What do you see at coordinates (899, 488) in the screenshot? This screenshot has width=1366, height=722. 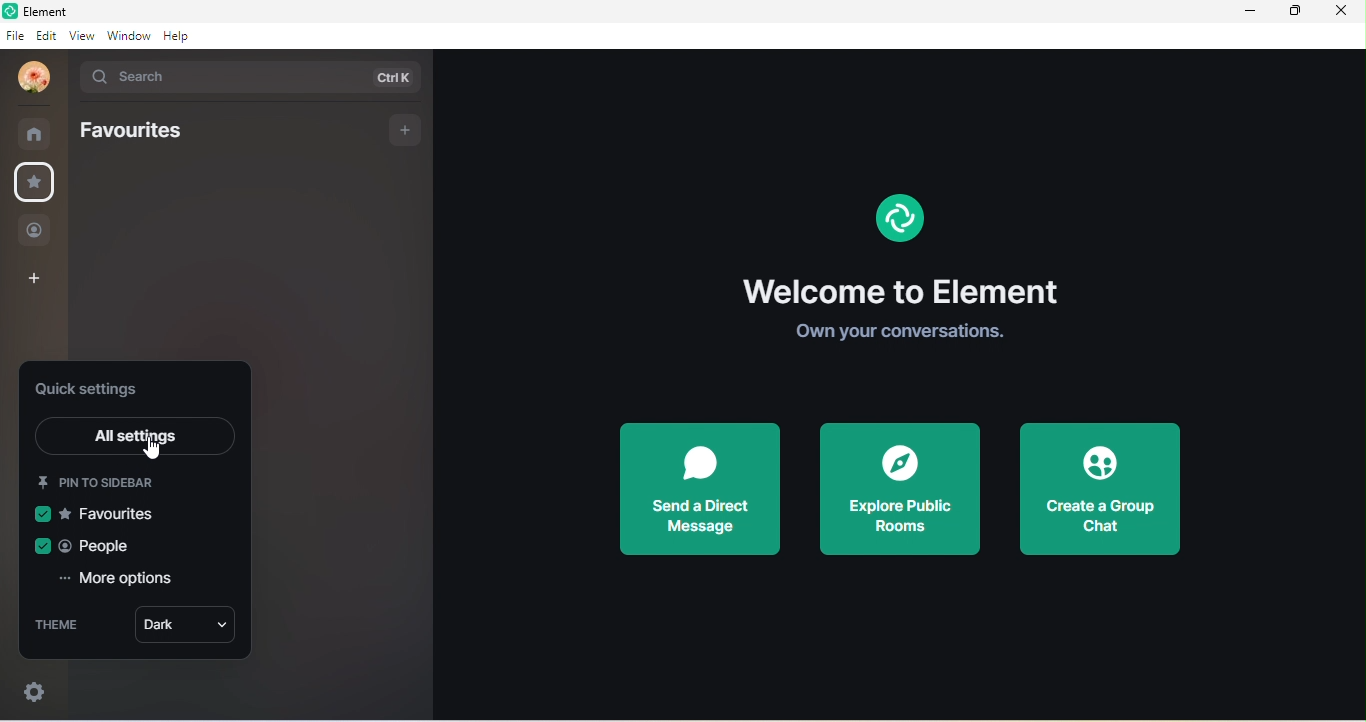 I see `explore public rooms` at bounding box center [899, 488].